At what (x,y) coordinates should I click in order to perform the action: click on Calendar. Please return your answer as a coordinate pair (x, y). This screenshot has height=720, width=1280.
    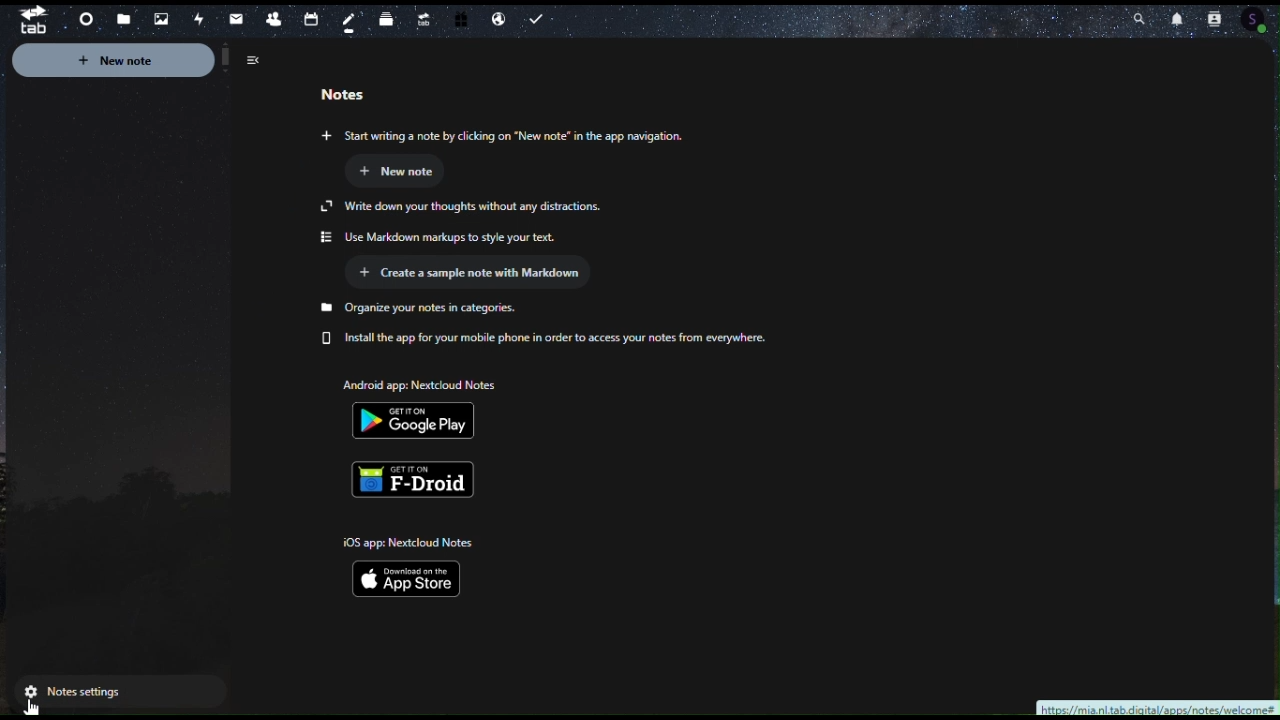
    Looking at the image, I should click on (309, 17).